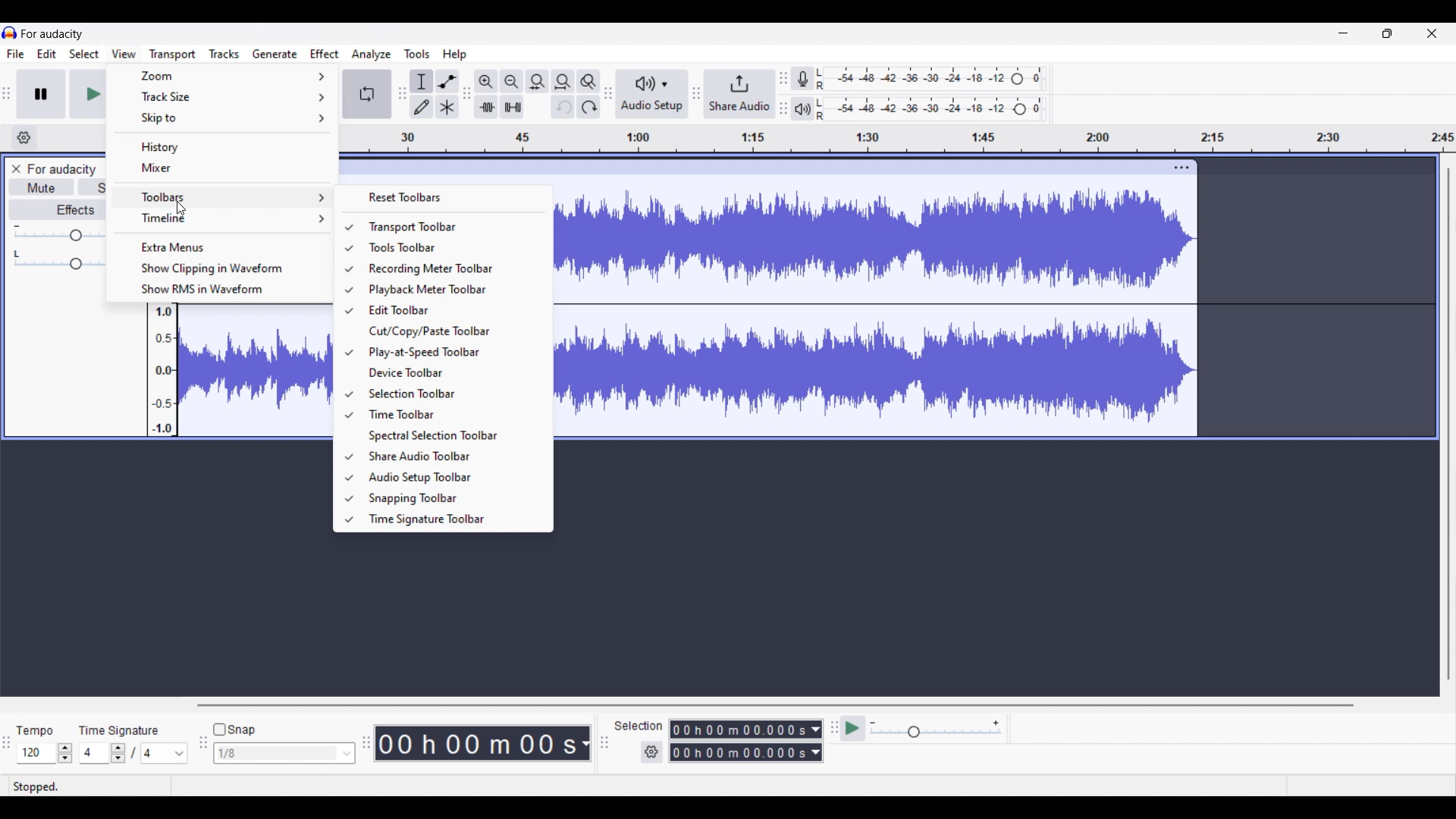 The image size is (1456, 819). Describe the element at coordinates (181, 209) in the screenshot. I see `Cursor position unchanged` at that location.